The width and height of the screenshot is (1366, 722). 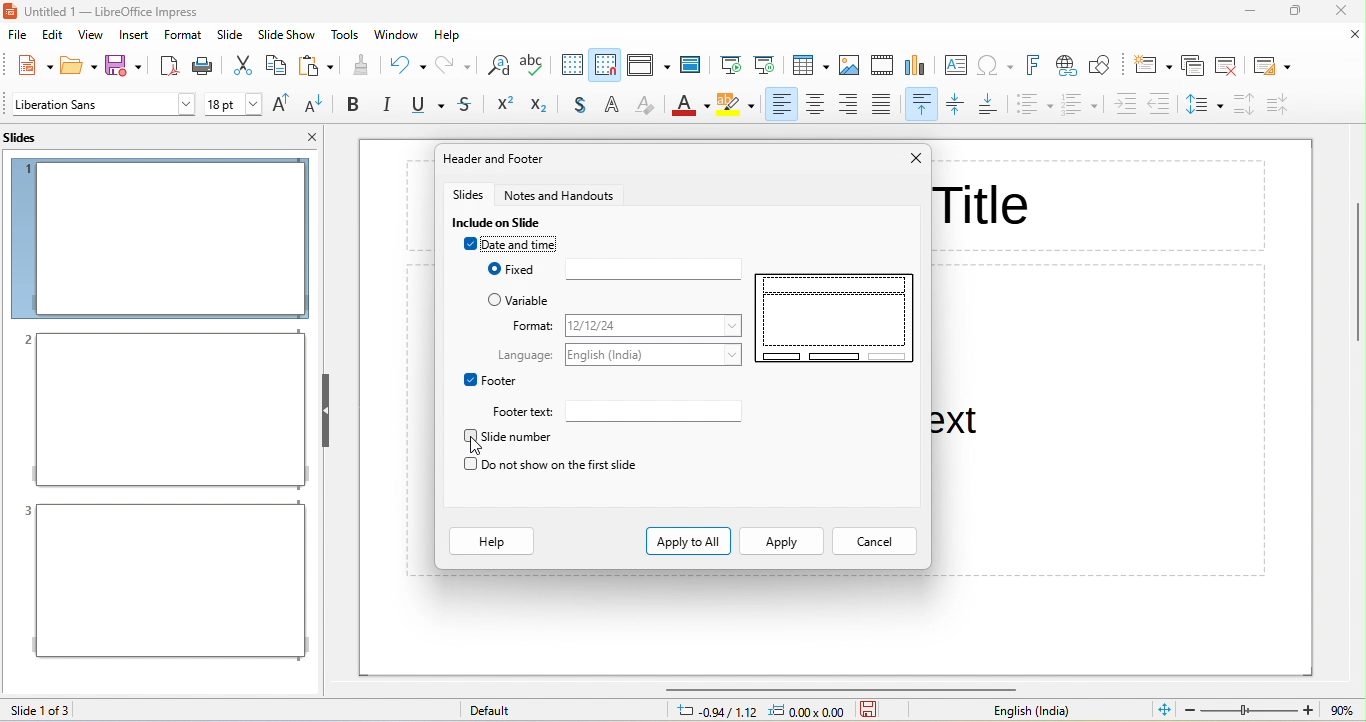 What do you see at coordinates (80, 64) in the screenshot?
I see `open` at bounding box center [80, 64].